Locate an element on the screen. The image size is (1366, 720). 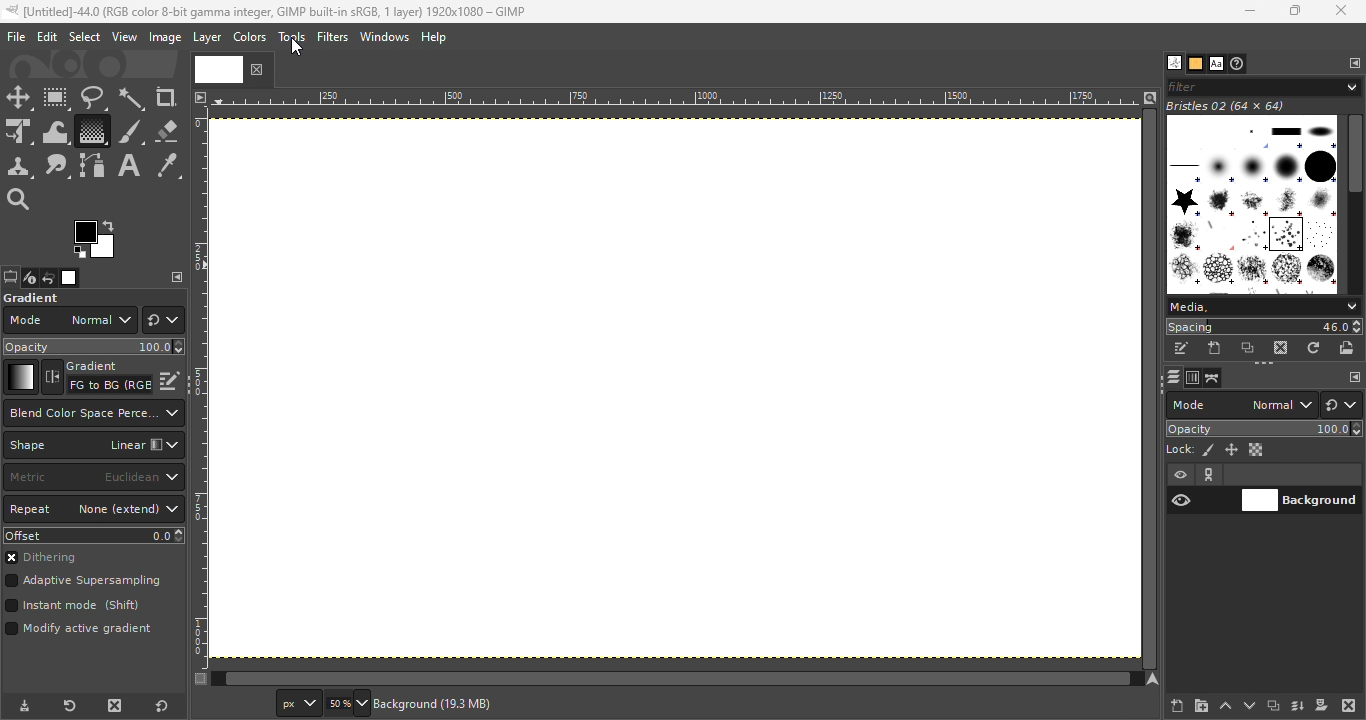
Close is located at coordinates (1343, 12).